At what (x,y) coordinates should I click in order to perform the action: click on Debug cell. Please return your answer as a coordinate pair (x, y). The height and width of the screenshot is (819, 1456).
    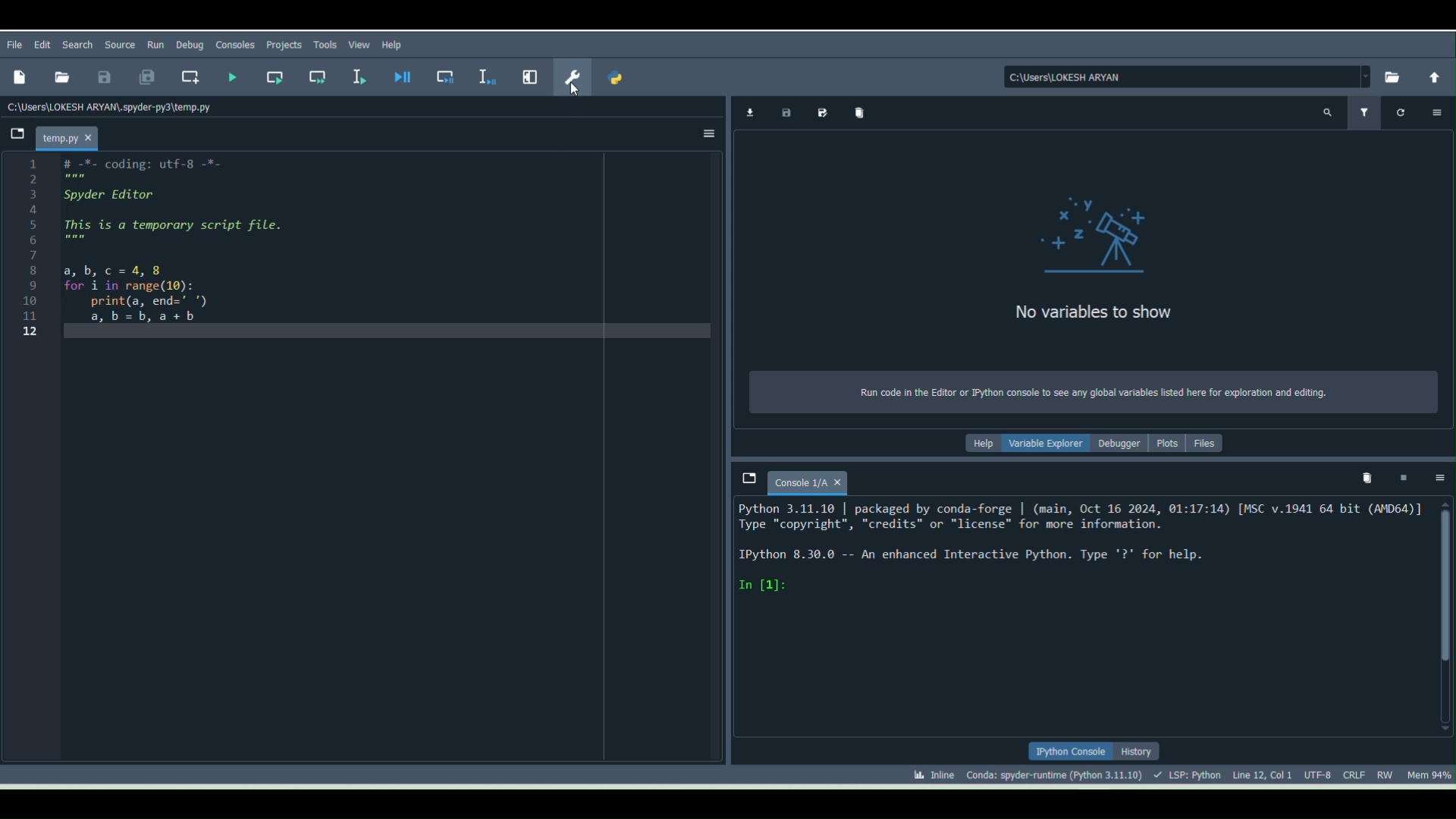
    Looking at the image, I should click on (447, 77).